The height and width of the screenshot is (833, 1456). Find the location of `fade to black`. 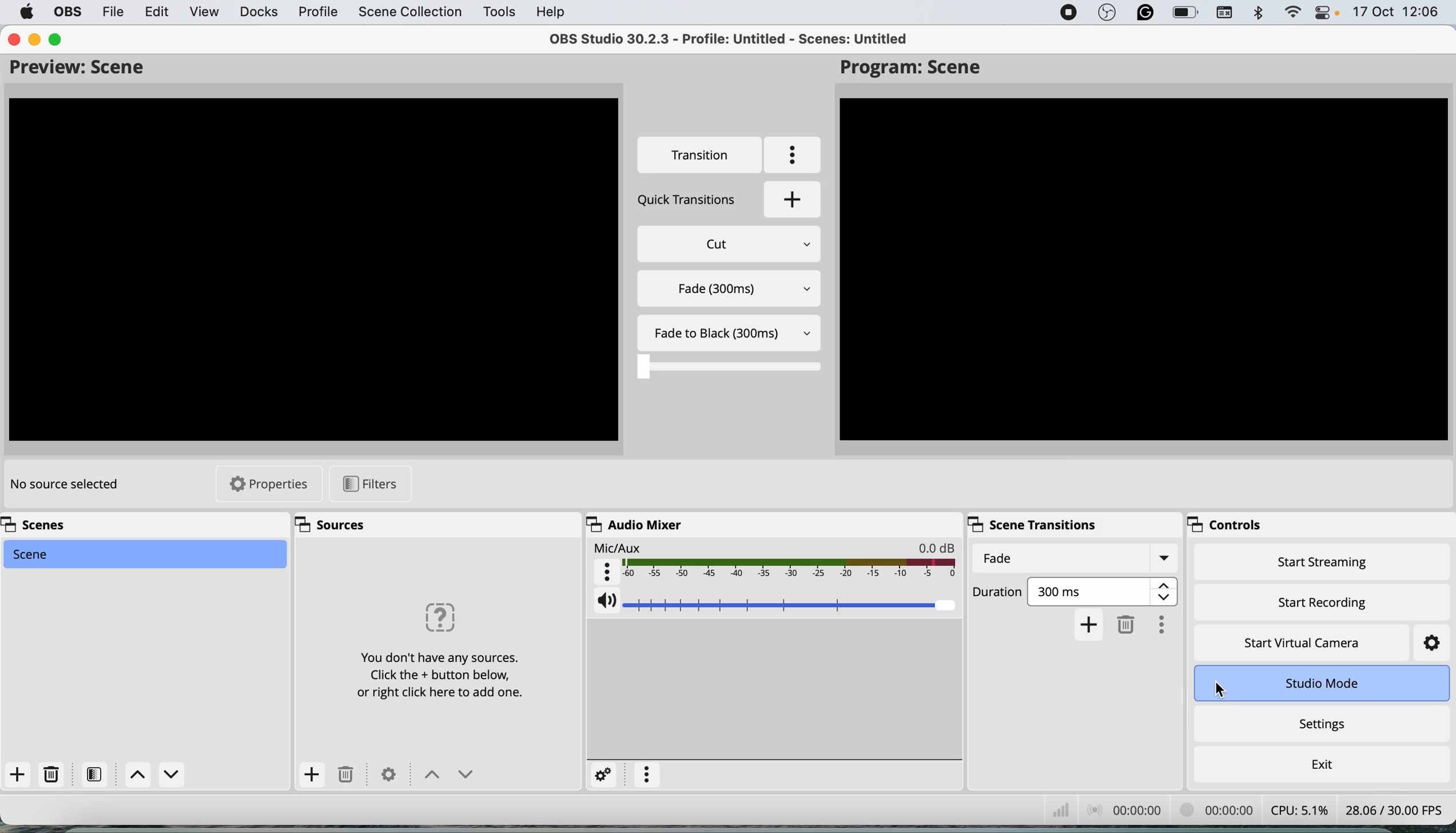

fade to black is located at coordinates (725, 334).